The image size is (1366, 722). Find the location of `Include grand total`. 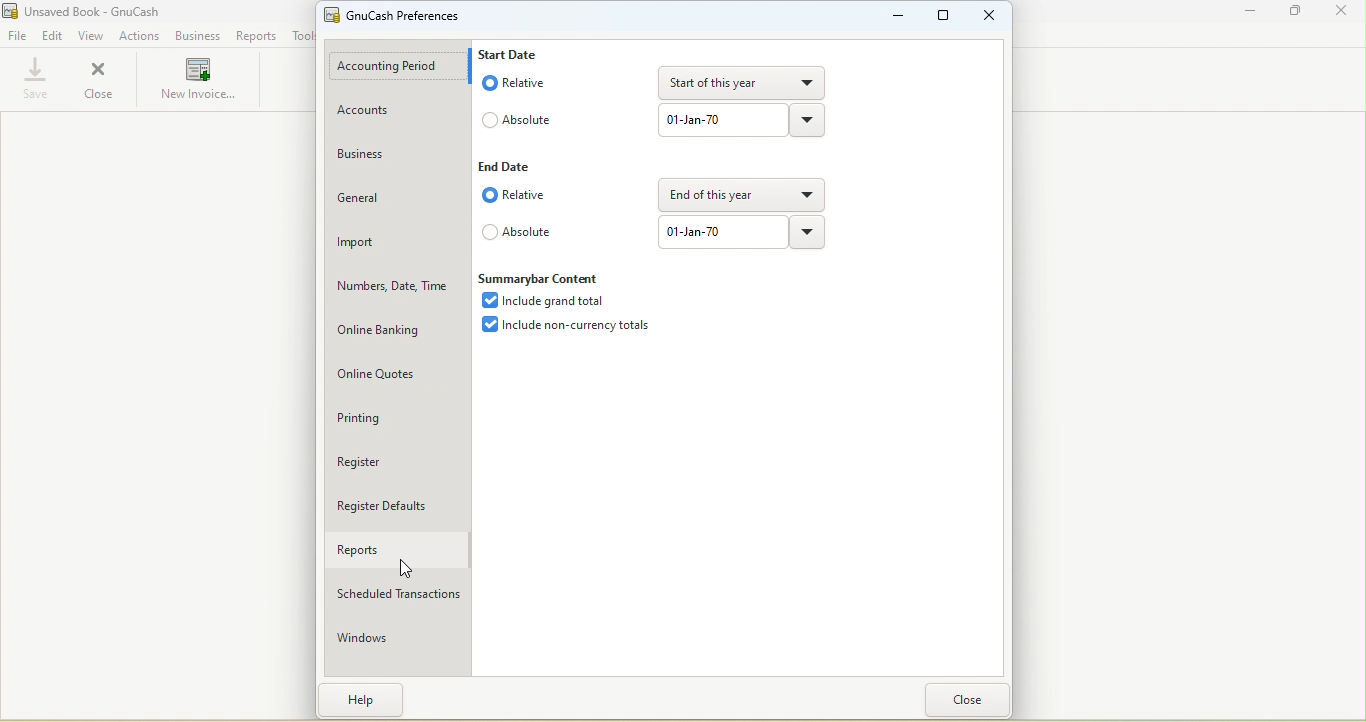

Include grand total is located at coordinates (555, 300).